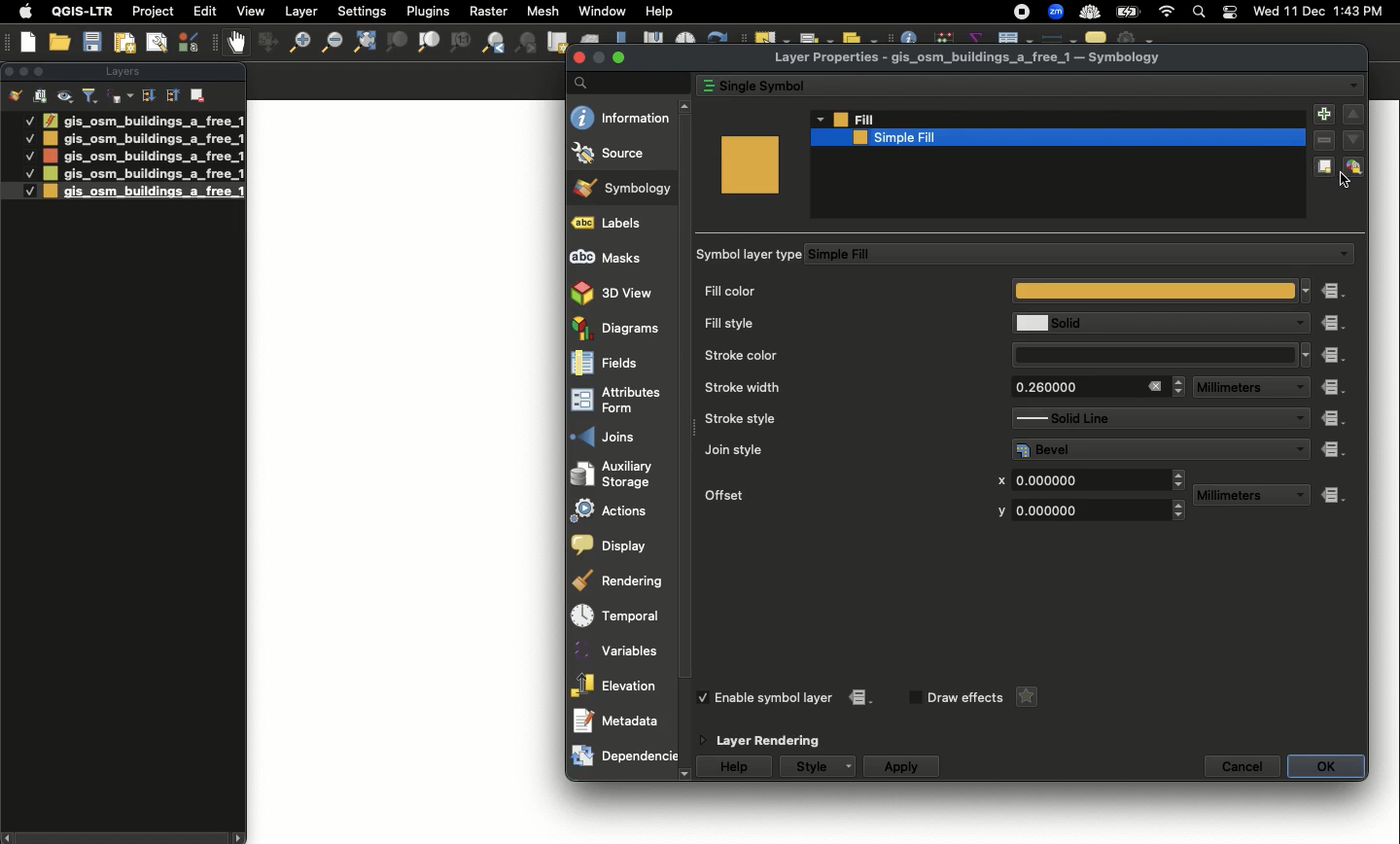 This screenshot has width=1400, height=844. I want to click on Stroke width , so click(839, 387).